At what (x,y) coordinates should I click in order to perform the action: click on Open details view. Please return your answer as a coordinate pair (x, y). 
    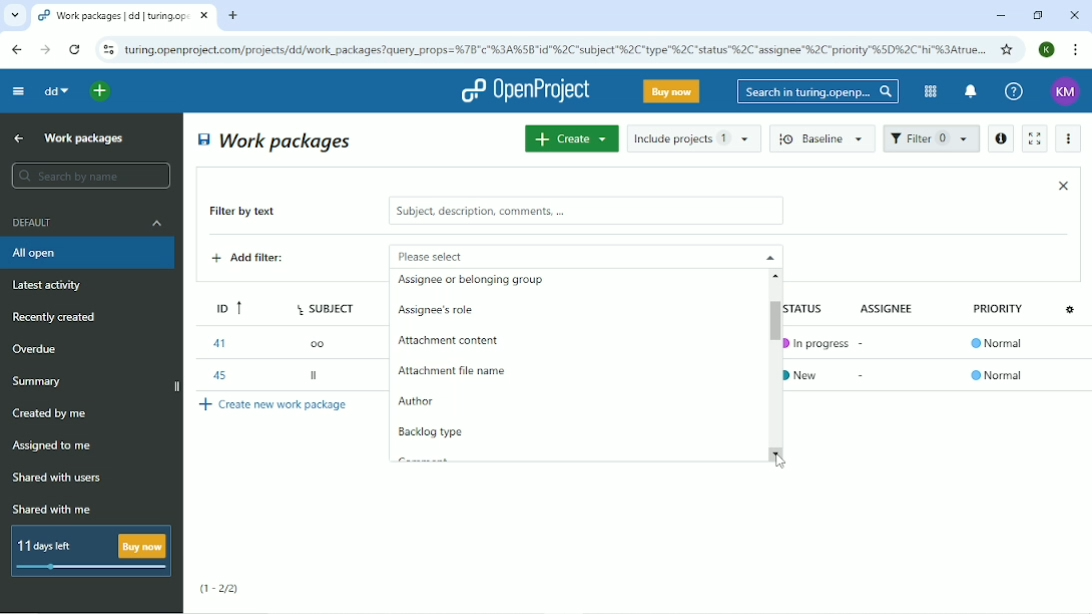
    Looking at the image, I should click on (1000, 139).